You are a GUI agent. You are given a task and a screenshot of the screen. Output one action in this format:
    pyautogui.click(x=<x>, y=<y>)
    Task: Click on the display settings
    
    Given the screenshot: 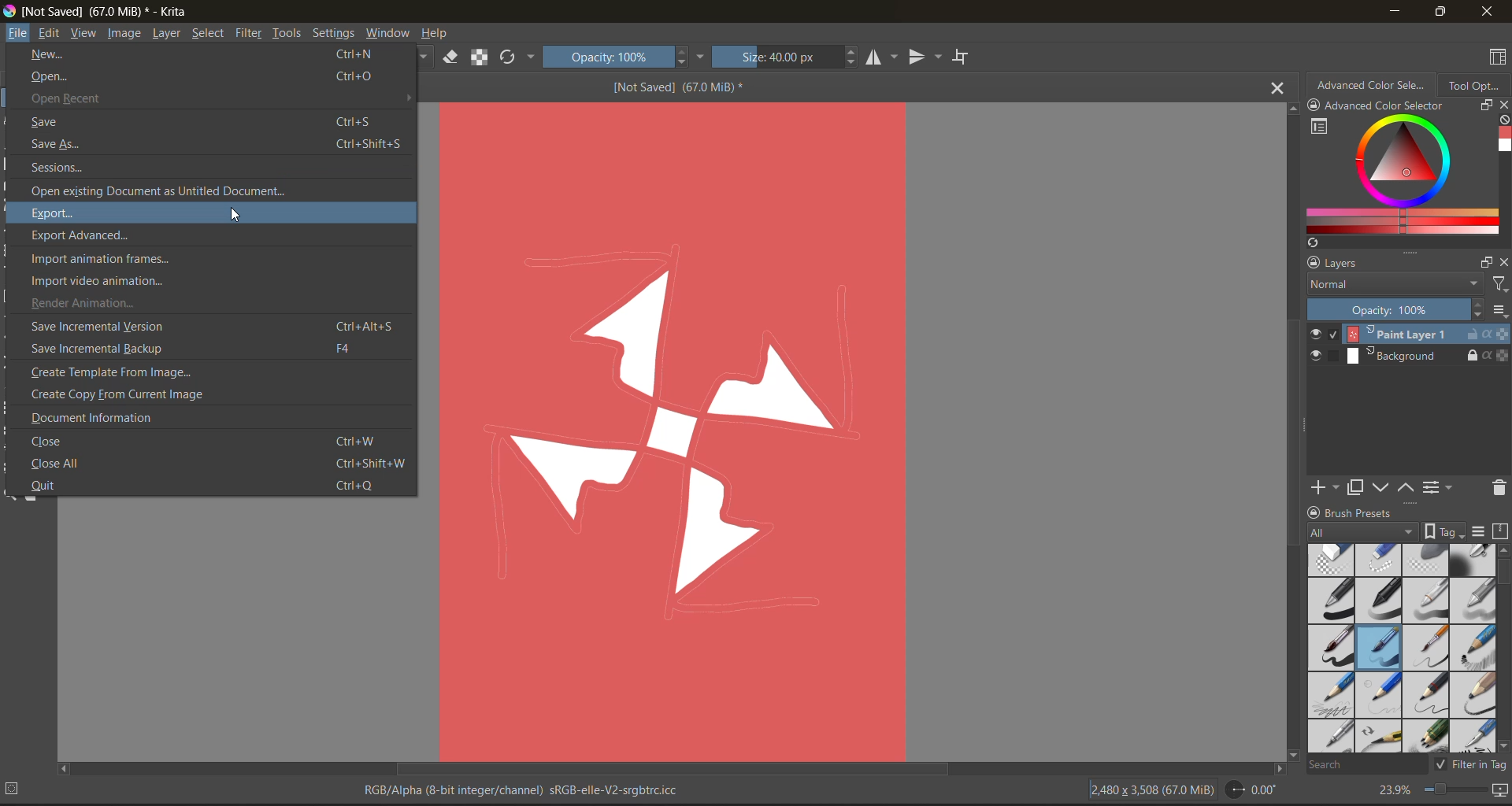 What is the action you would take?
    pyautogui.click(x=1481, y=532)
    